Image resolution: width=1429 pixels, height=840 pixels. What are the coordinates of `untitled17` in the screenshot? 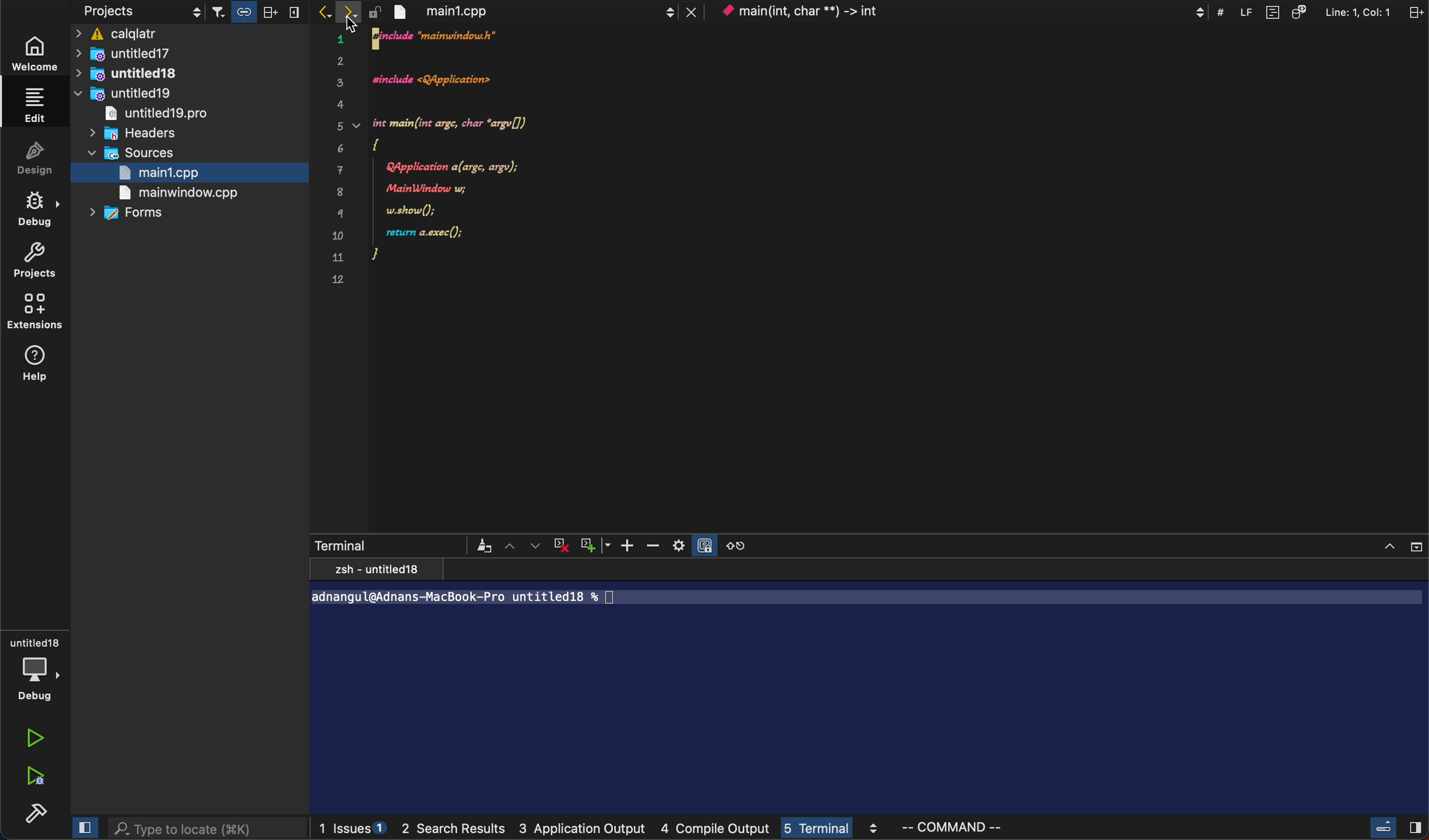 It's located at (150, 53).